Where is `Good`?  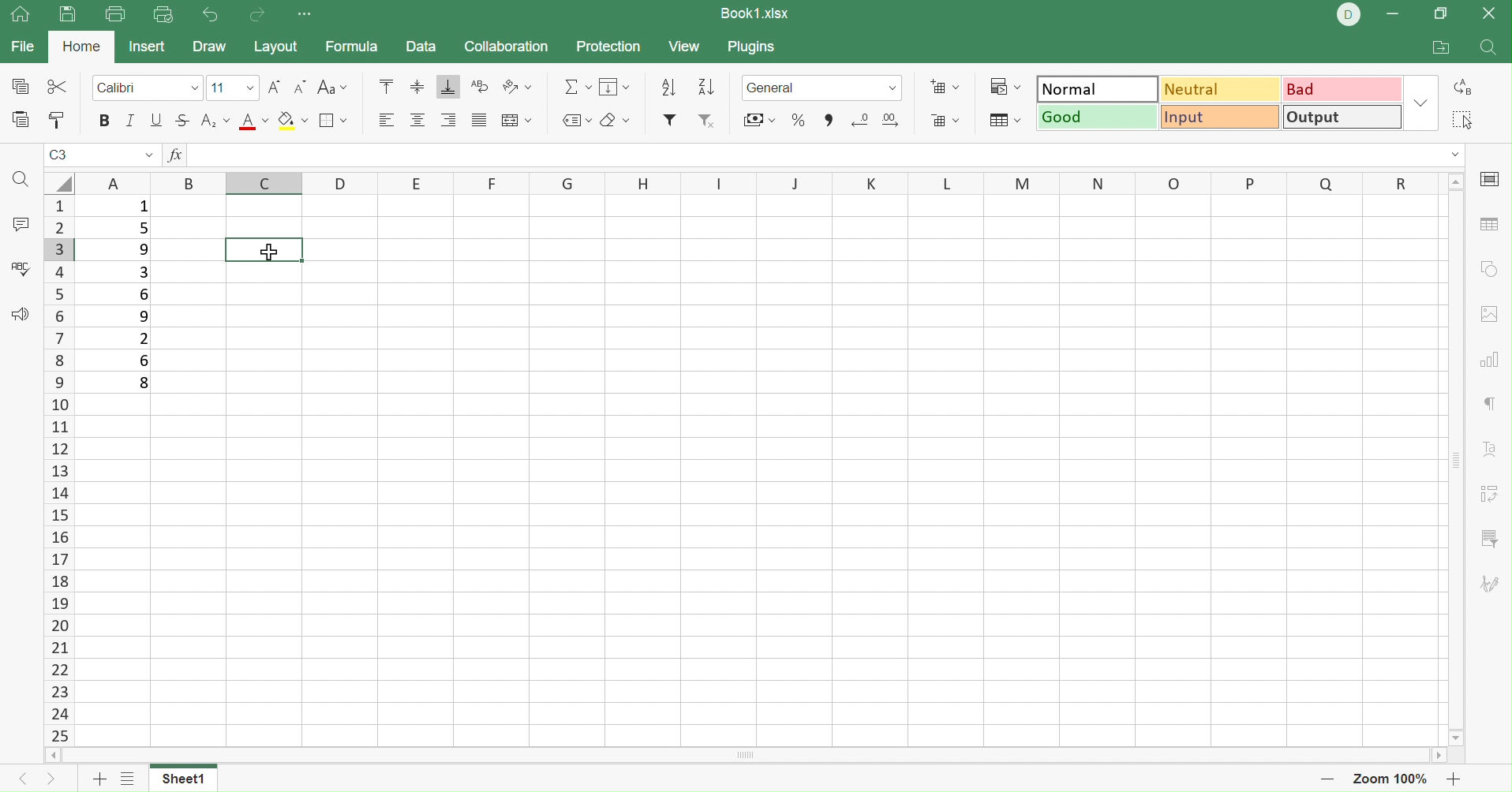
Good is located at coordinates (1095, 120).